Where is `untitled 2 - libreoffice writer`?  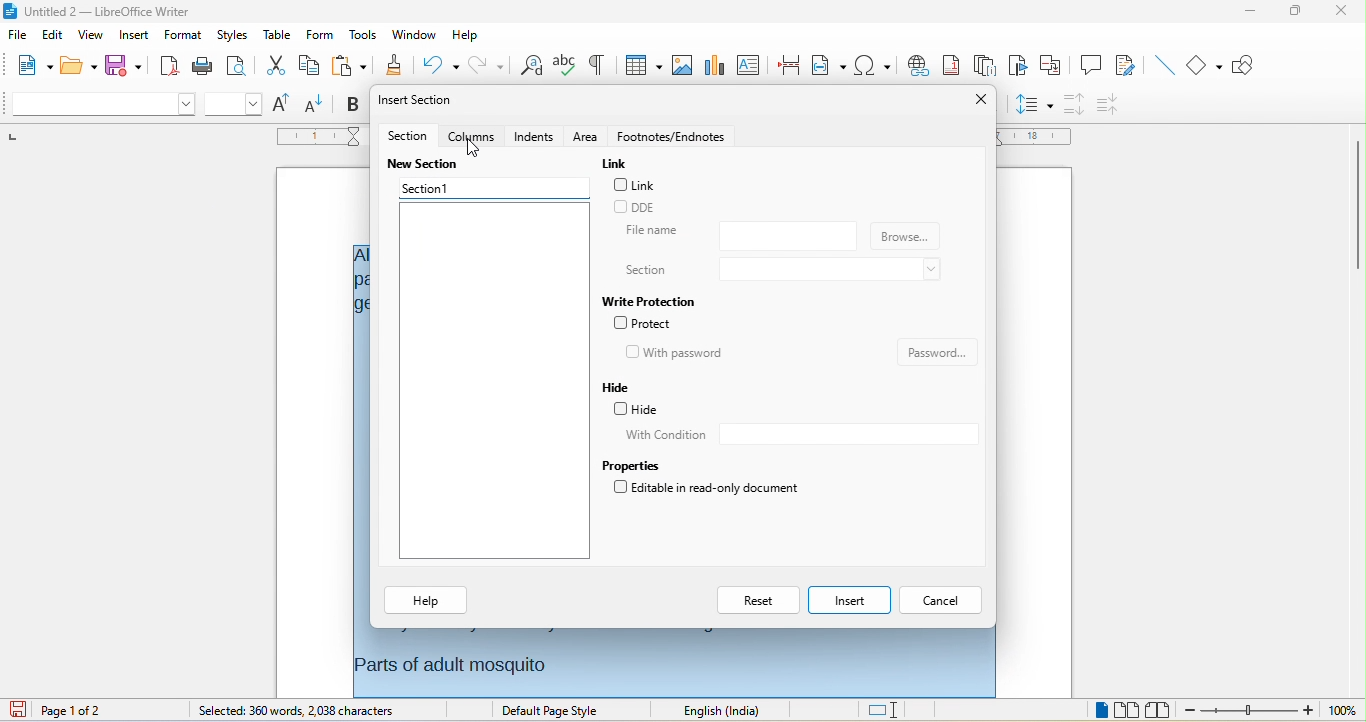
untitled 2 - libreoffice writer is located at coordinates (100, 10).